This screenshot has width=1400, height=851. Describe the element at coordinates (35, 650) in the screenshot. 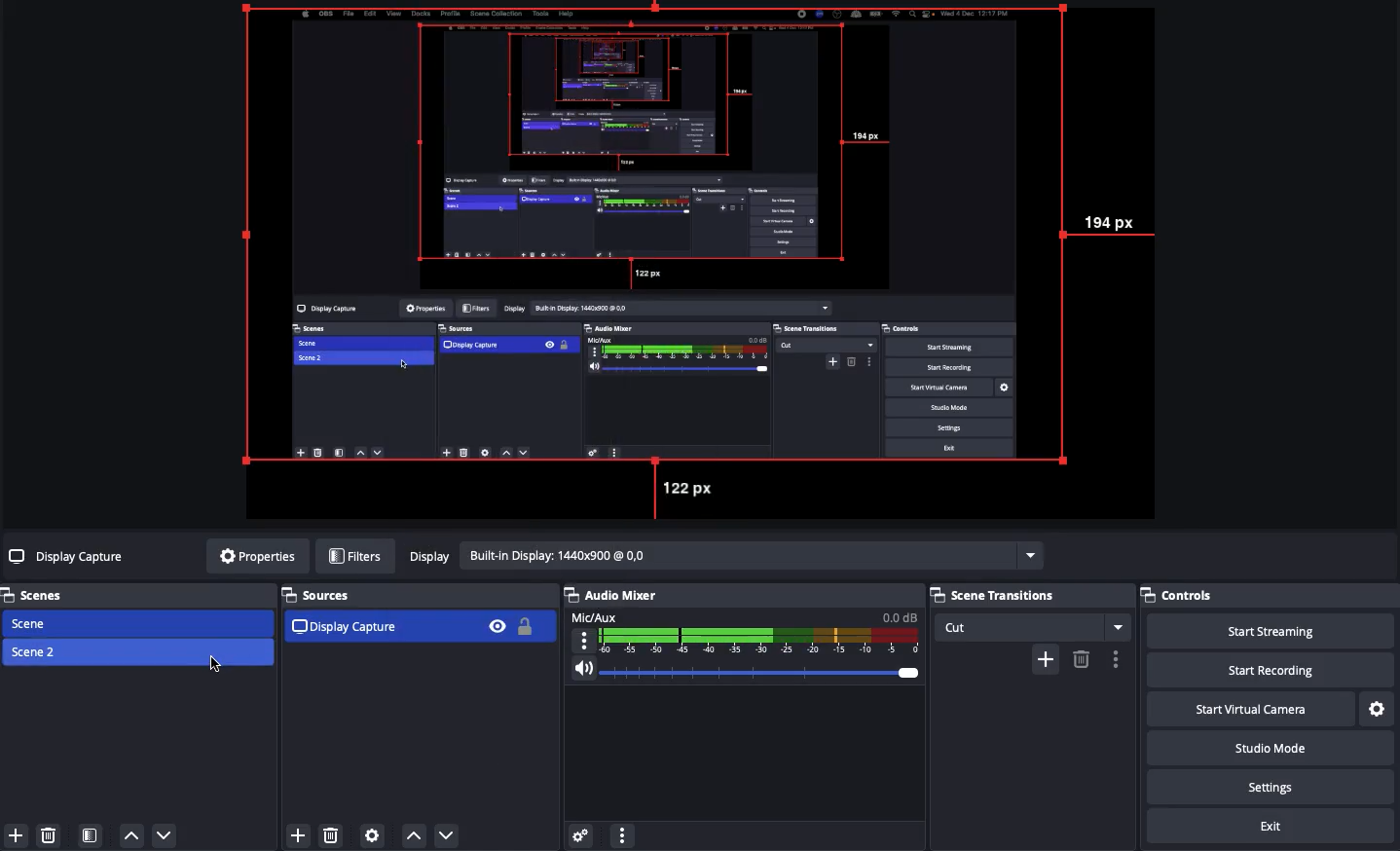

I see `Scene 2` at that location.